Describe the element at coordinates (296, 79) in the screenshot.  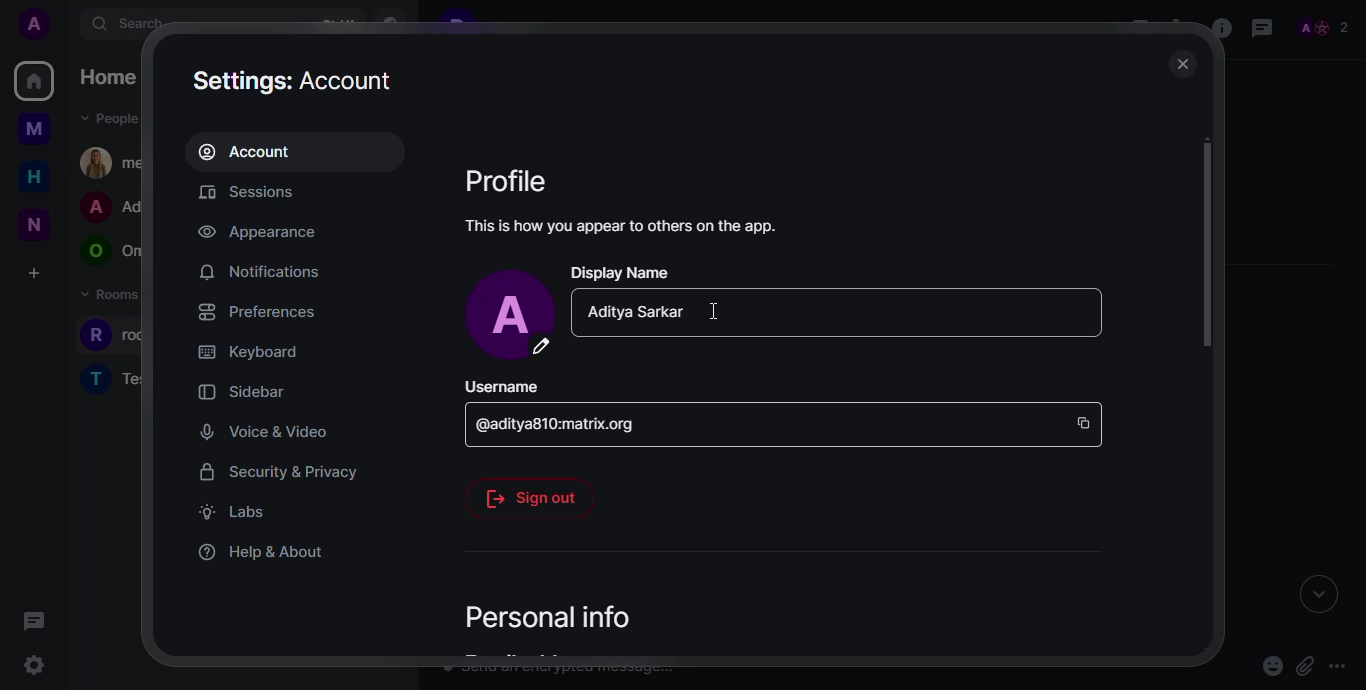
I see `settings` at that location.